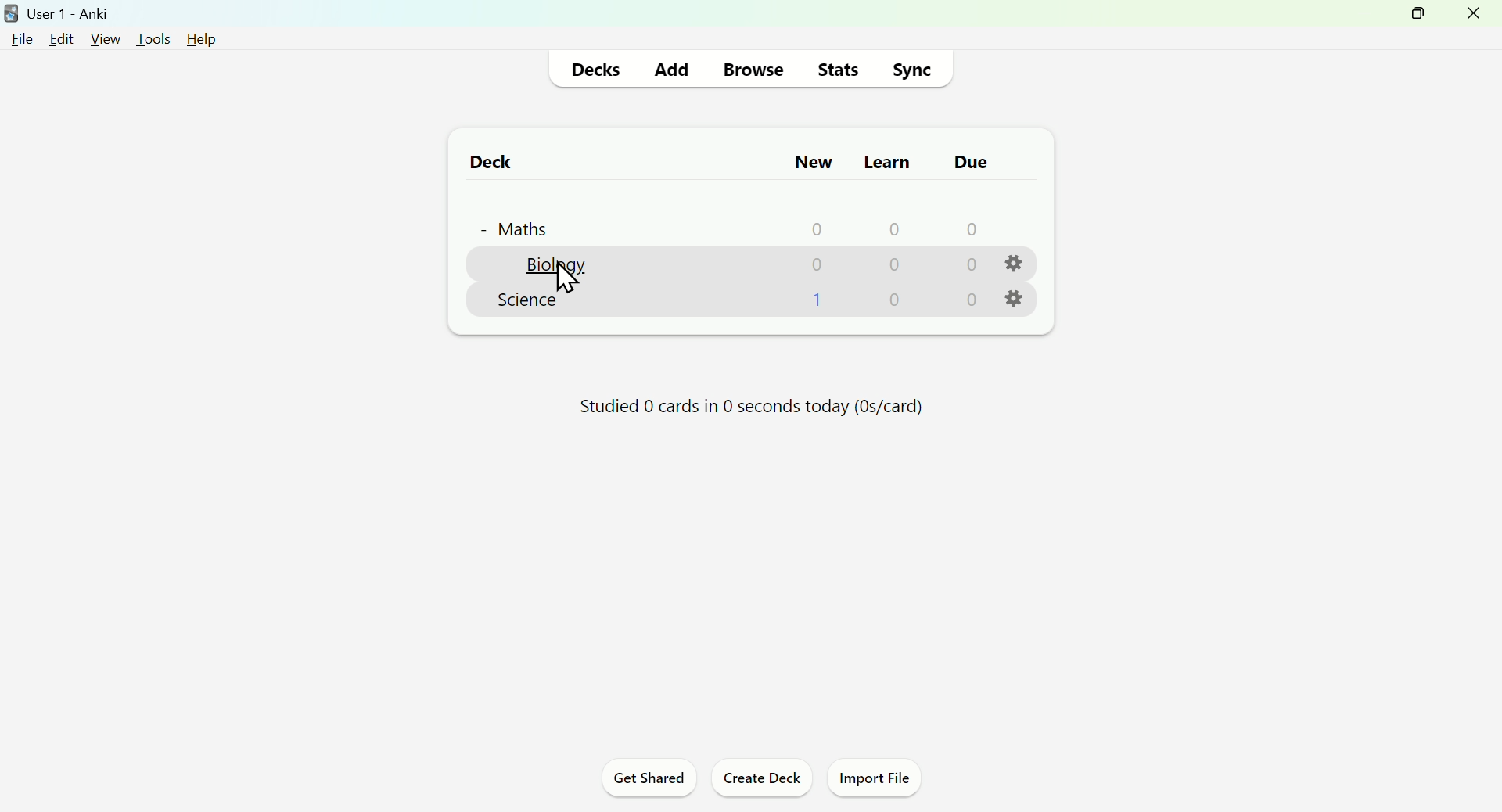 The image size is (1502, 812). Describe the element at coordinates (810, 230) in the screenshot. I see `0` at that location.